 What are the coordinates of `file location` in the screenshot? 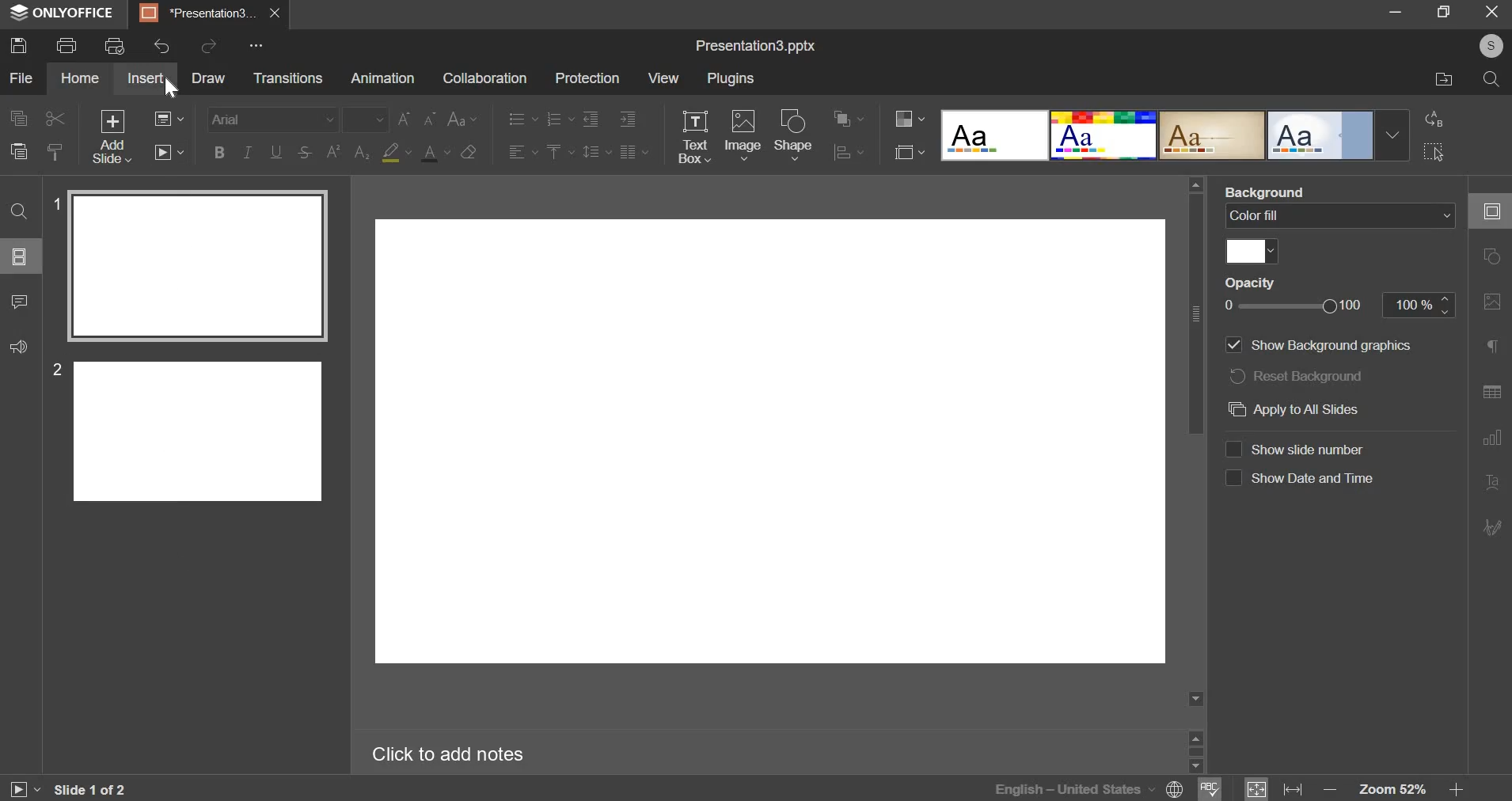 It's located at (1442, 80).